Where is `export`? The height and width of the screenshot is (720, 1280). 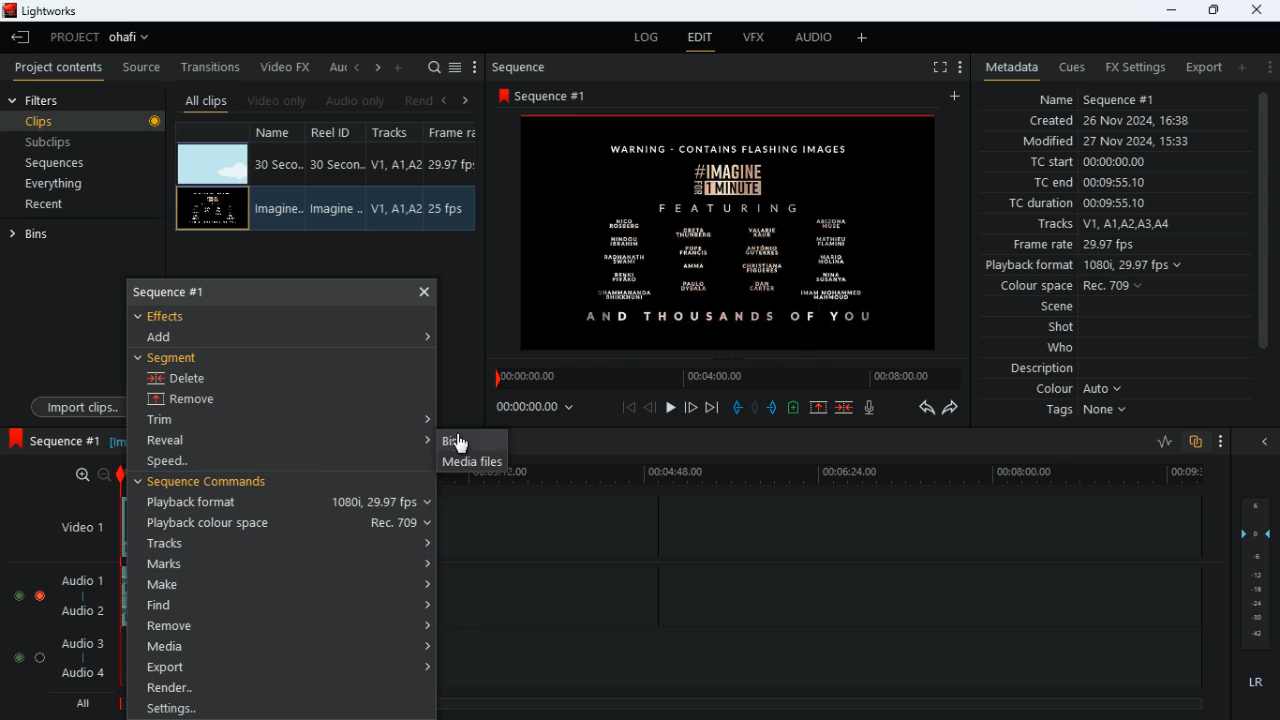
export is located at coordinates (1200, 67).